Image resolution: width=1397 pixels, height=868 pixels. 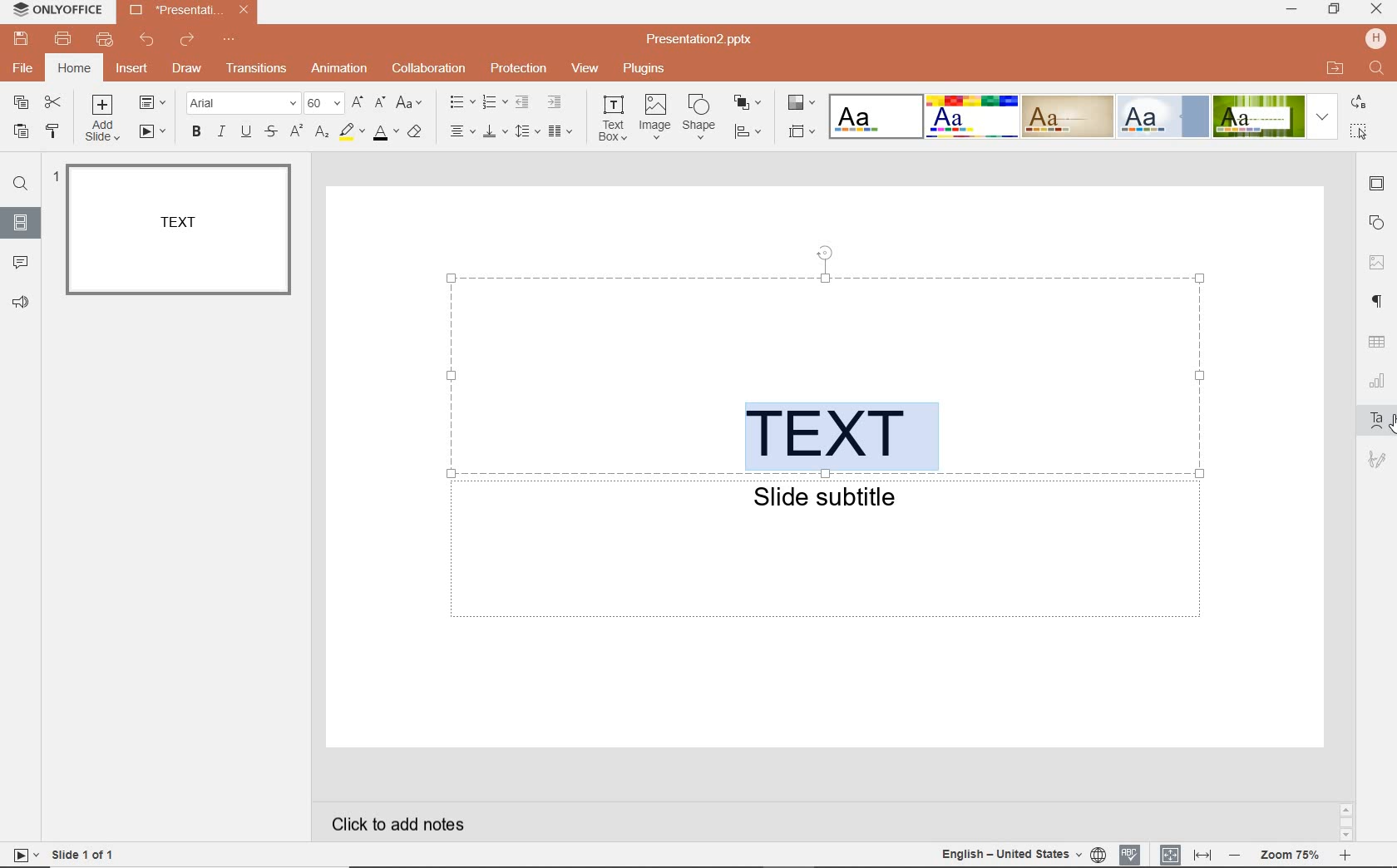 I want to click on ANIMATION, so click(x=339, y=70).